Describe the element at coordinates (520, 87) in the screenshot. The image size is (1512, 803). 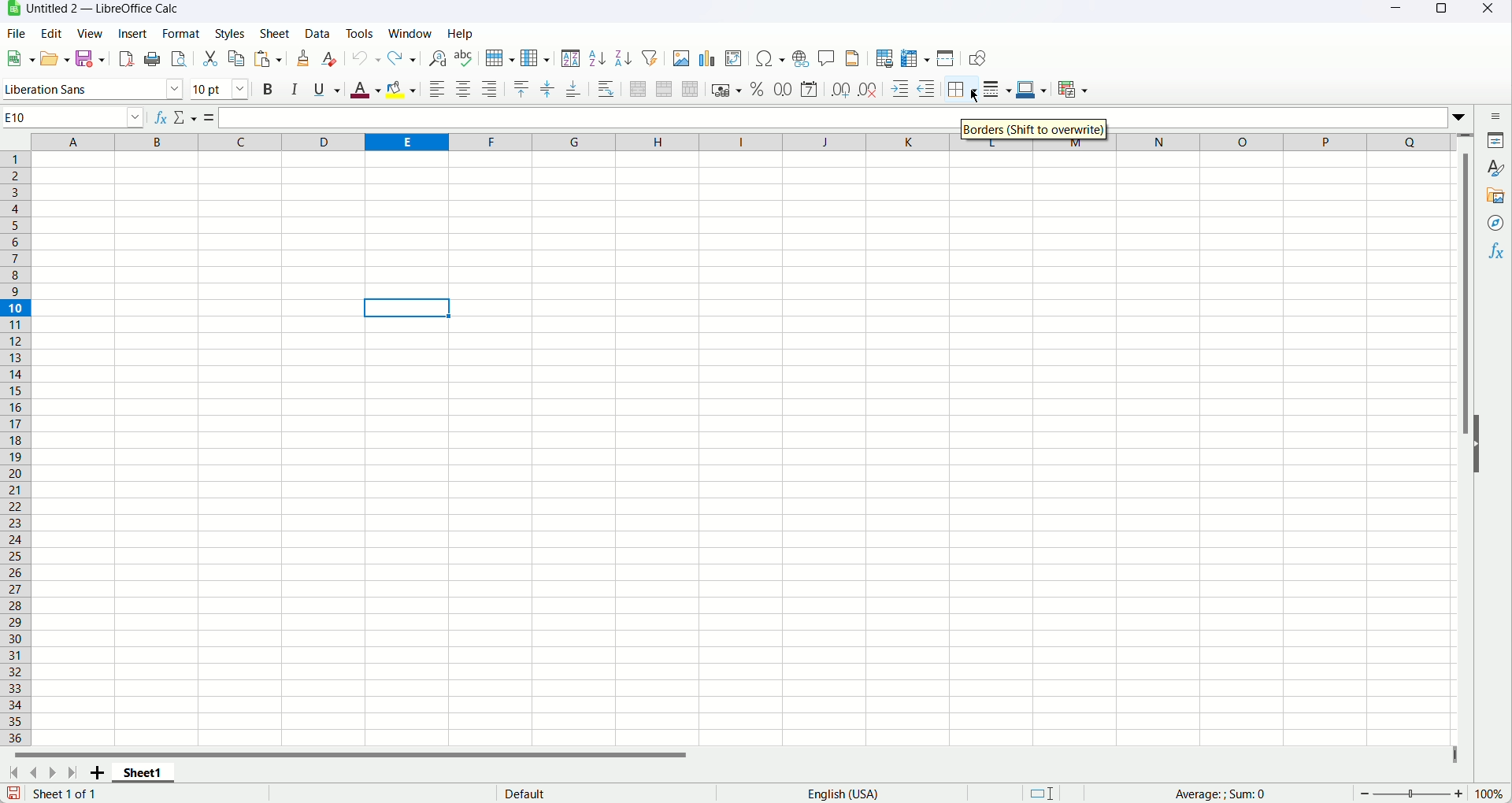
I see `Align top` at that location.